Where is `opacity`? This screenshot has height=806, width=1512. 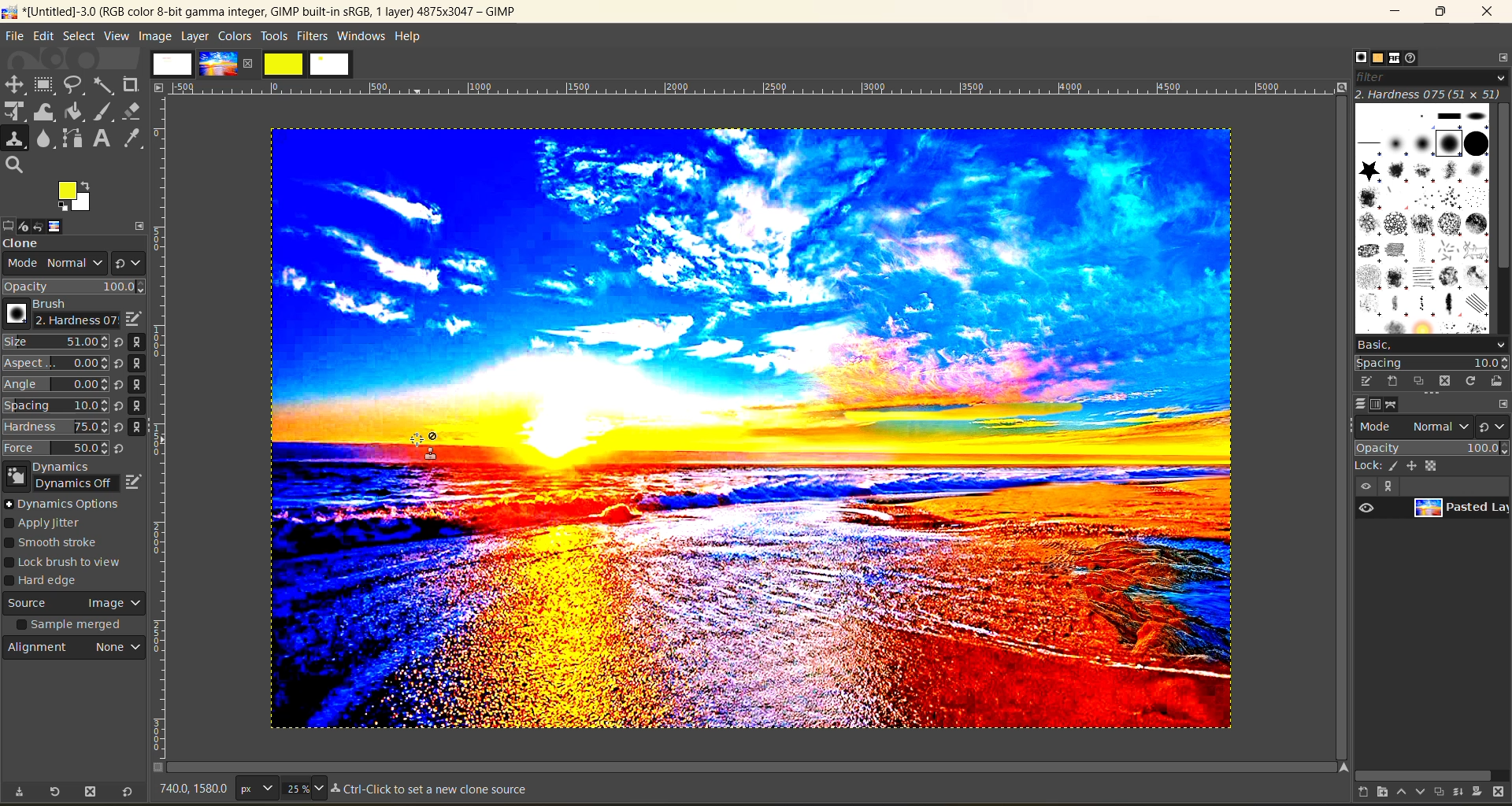
opacity is located at coordinates (75, 287).